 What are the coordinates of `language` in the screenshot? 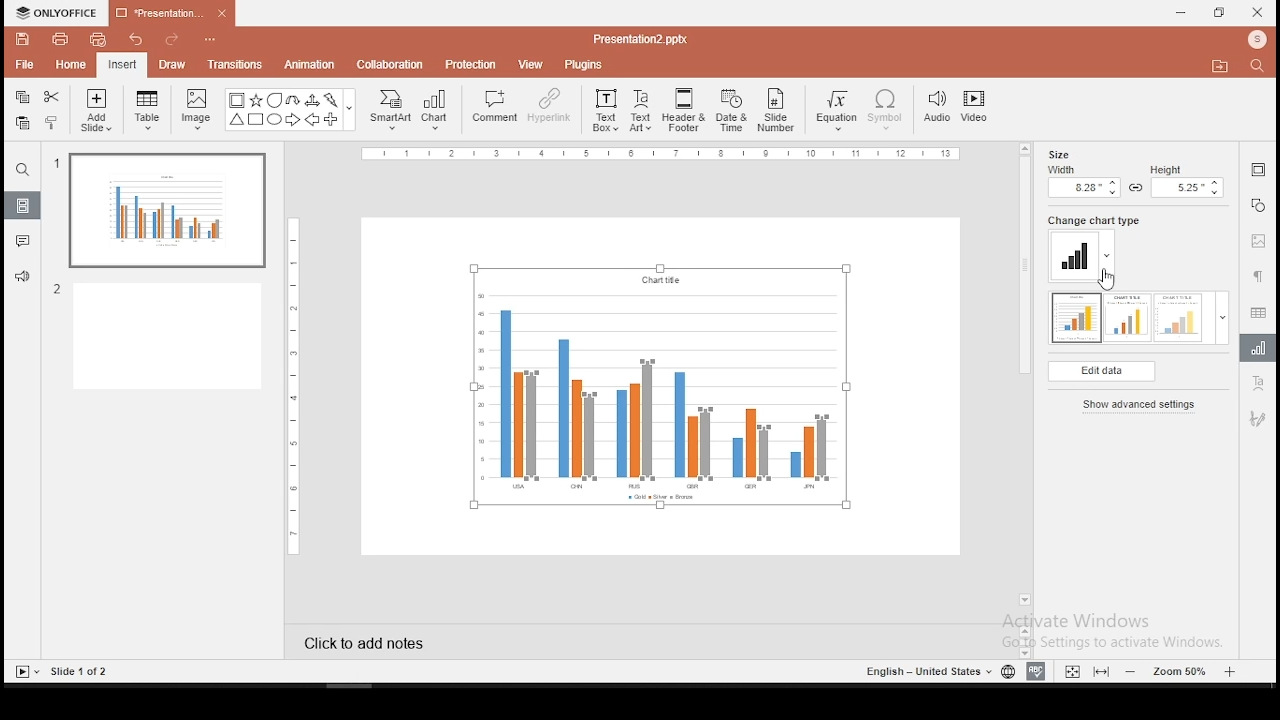 It's located at (1004, 669).